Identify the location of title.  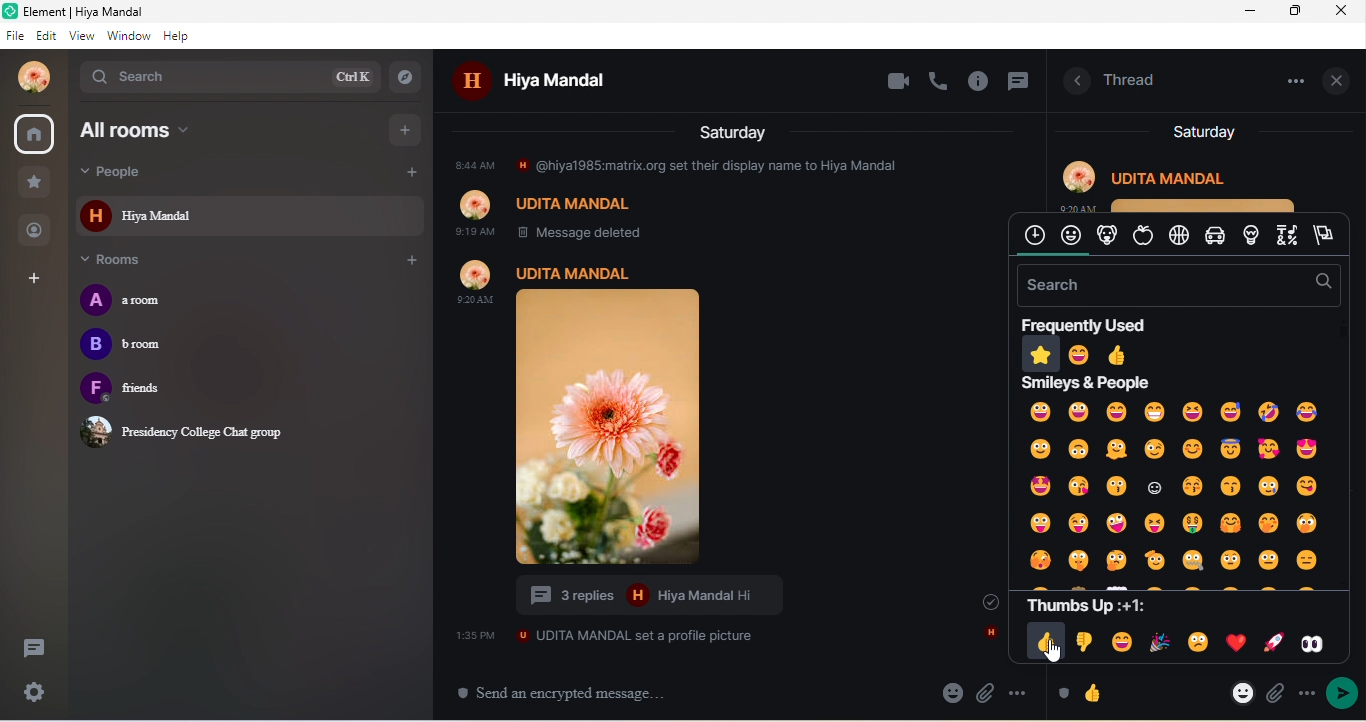
(101, 12).